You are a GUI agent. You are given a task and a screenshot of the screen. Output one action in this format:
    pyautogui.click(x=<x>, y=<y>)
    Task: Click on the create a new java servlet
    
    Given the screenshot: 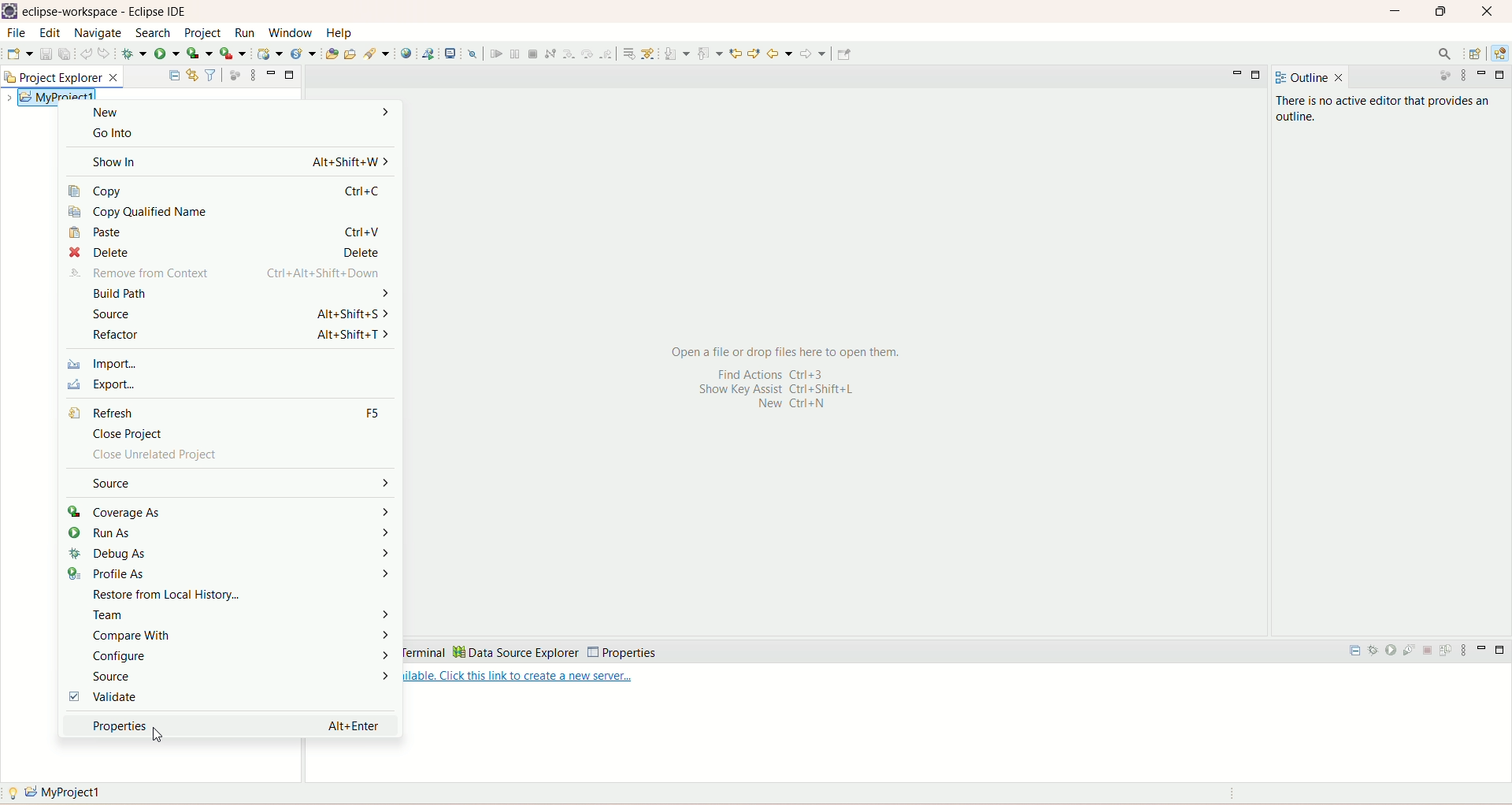 What is the action you would take?
    pyautogui.click(x=303, y=54)
    